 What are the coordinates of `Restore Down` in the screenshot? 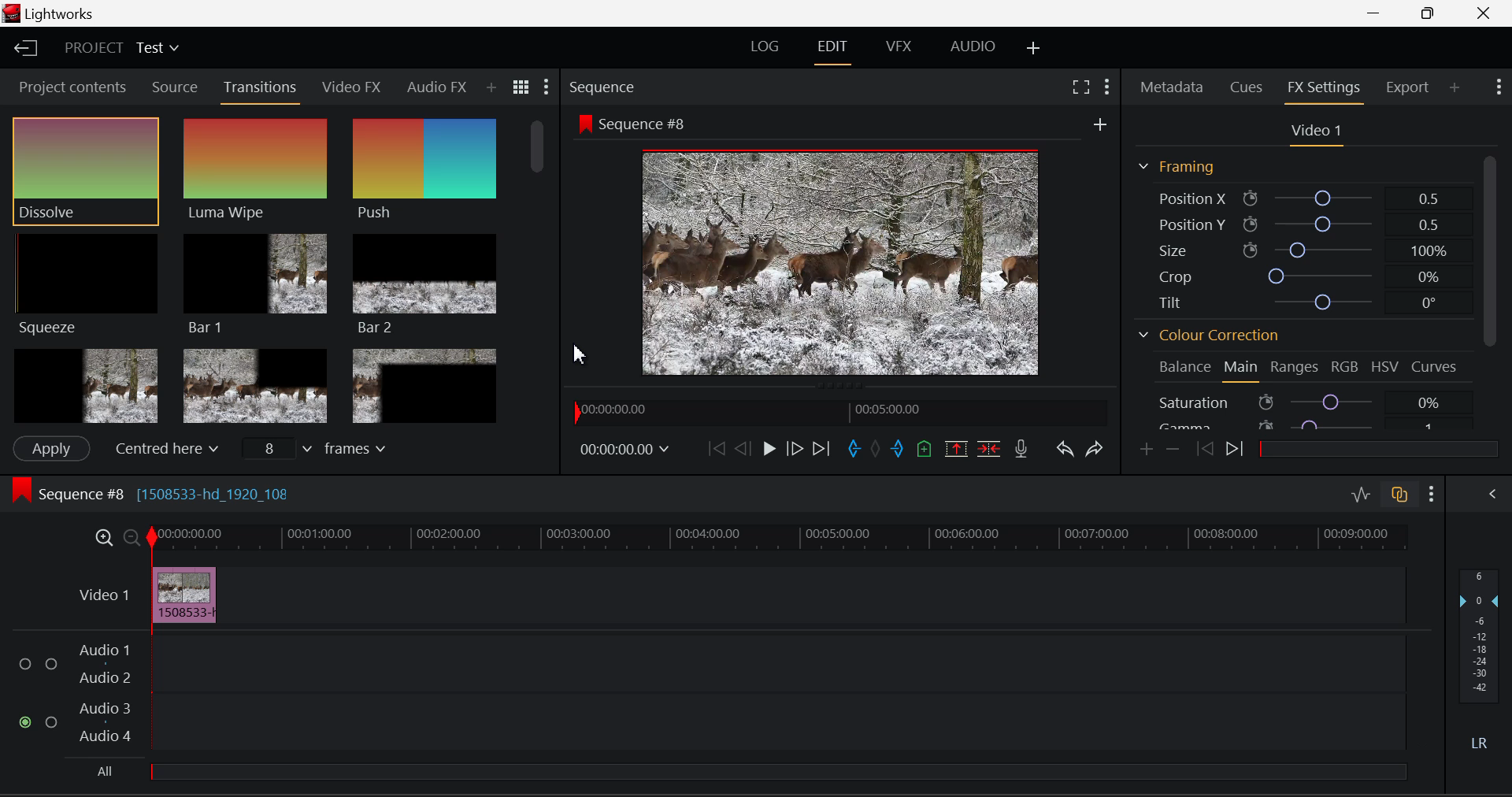 It's located at (1379, 13).